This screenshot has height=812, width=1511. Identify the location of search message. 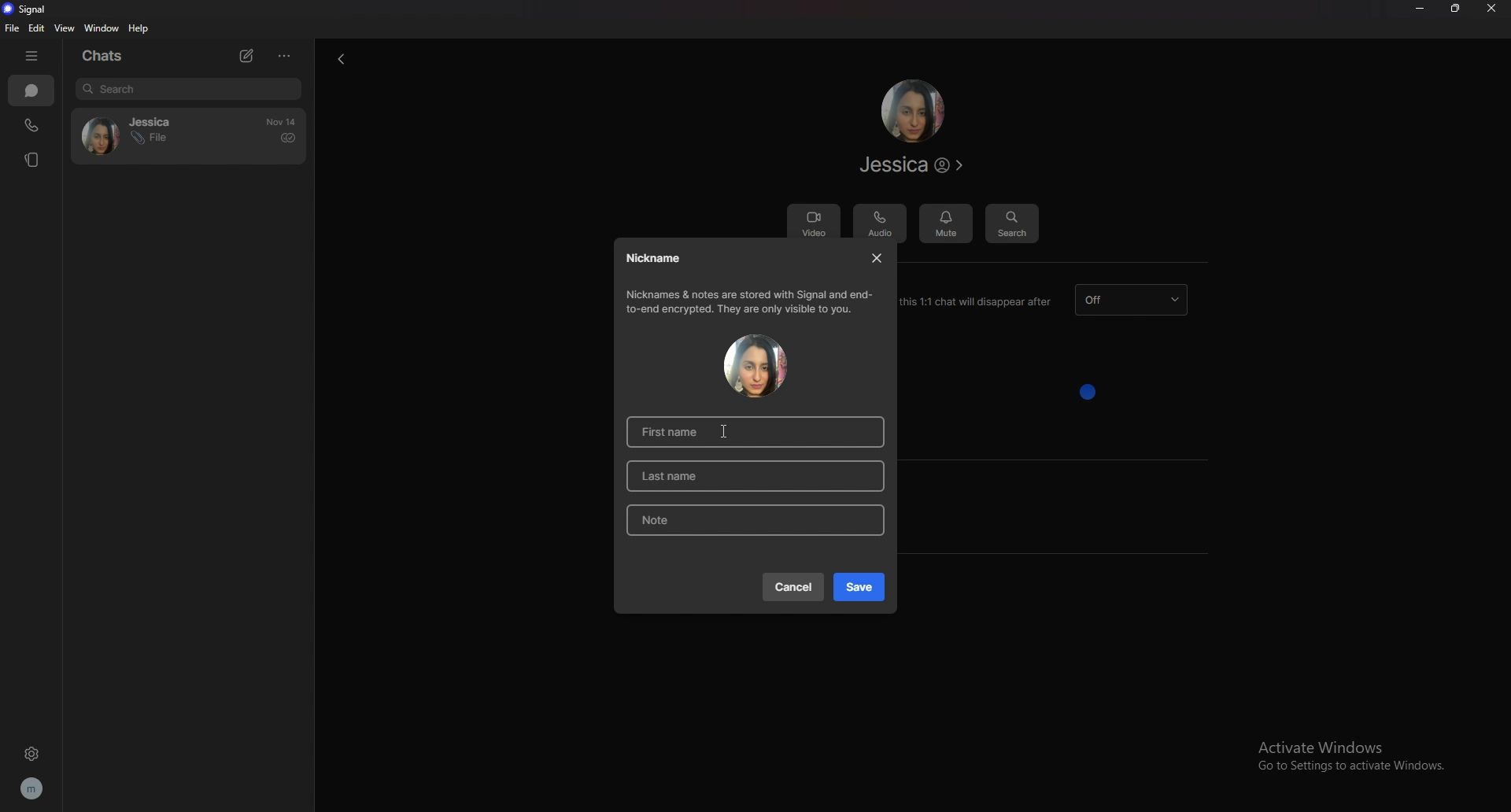
(1012, 224).